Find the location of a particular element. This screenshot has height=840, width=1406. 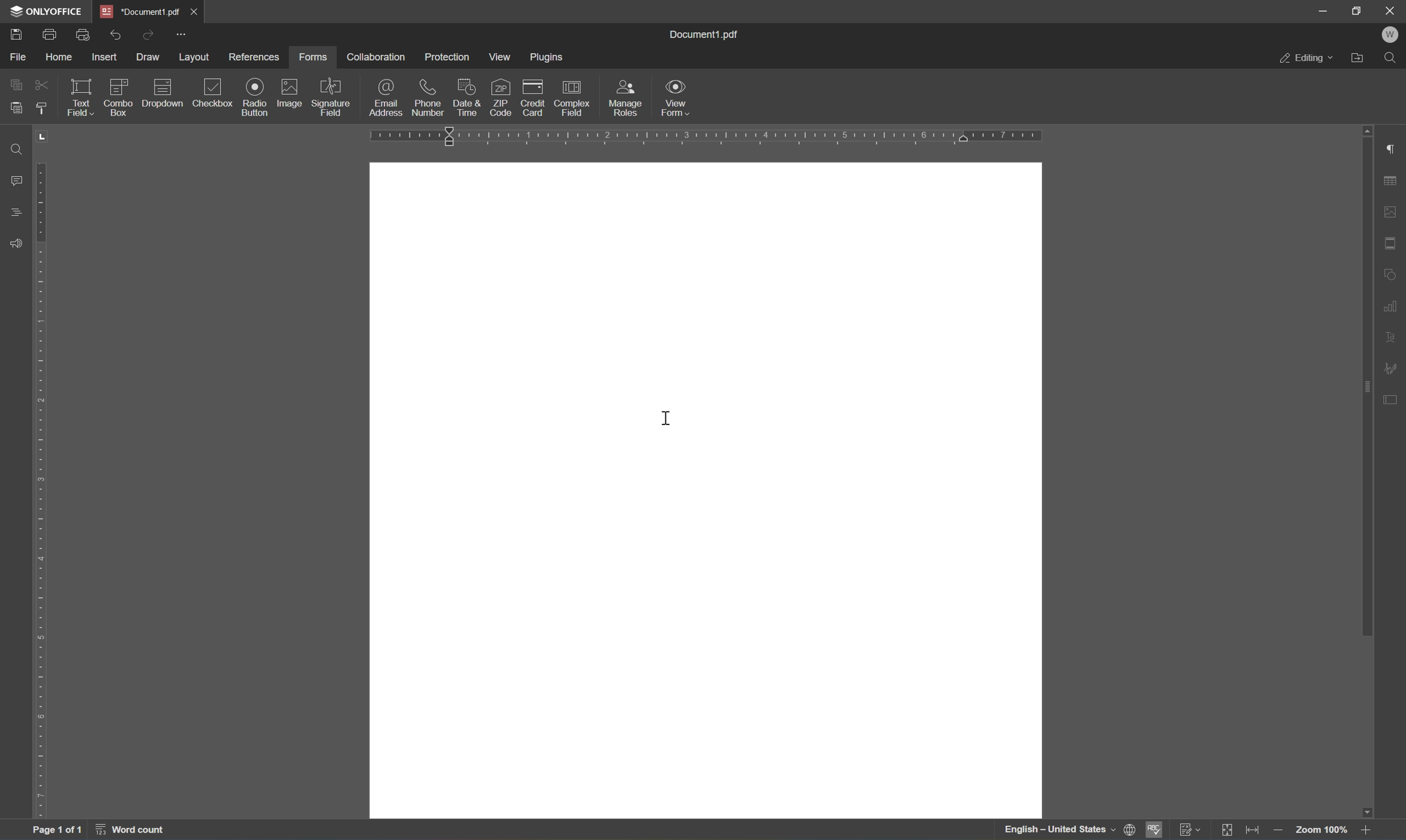

cursor settings is located at coordinates (667, 417).